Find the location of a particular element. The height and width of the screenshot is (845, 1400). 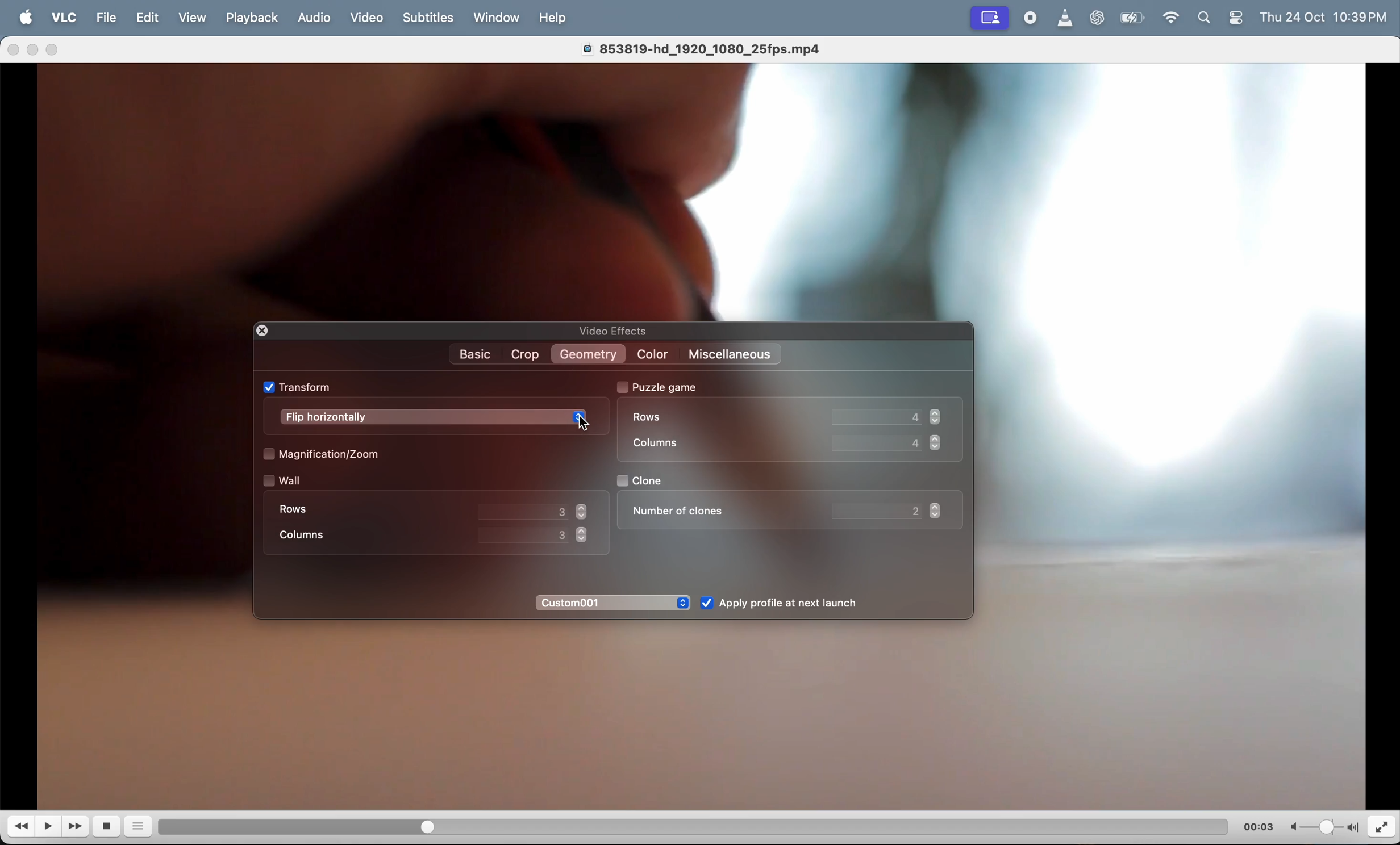

volume  is located at coordinates (1322, 826).